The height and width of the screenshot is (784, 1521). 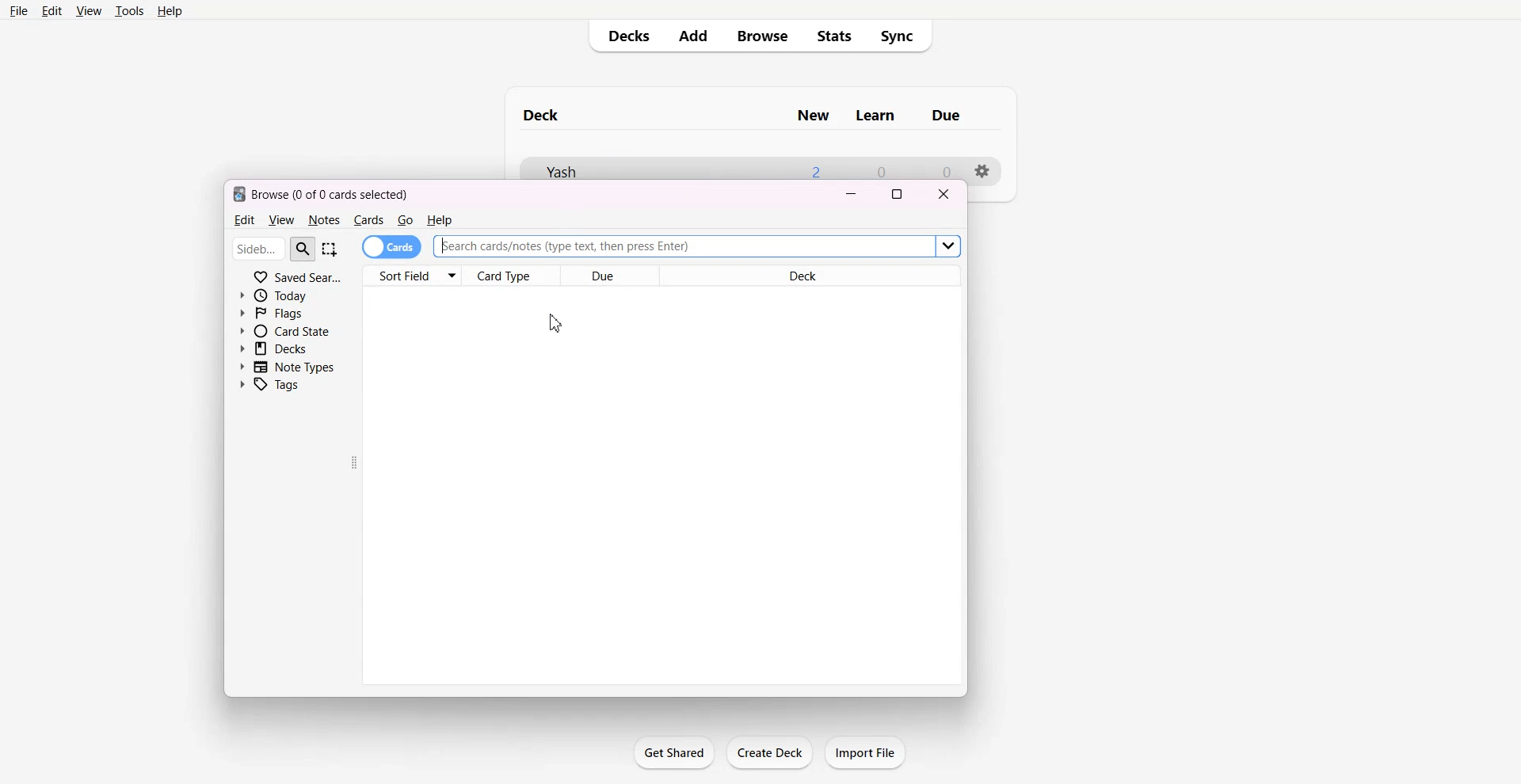 What do you see at coordinates (284, 332) in the screenshot?
I see `Card State` at bounding box center [284, 332].